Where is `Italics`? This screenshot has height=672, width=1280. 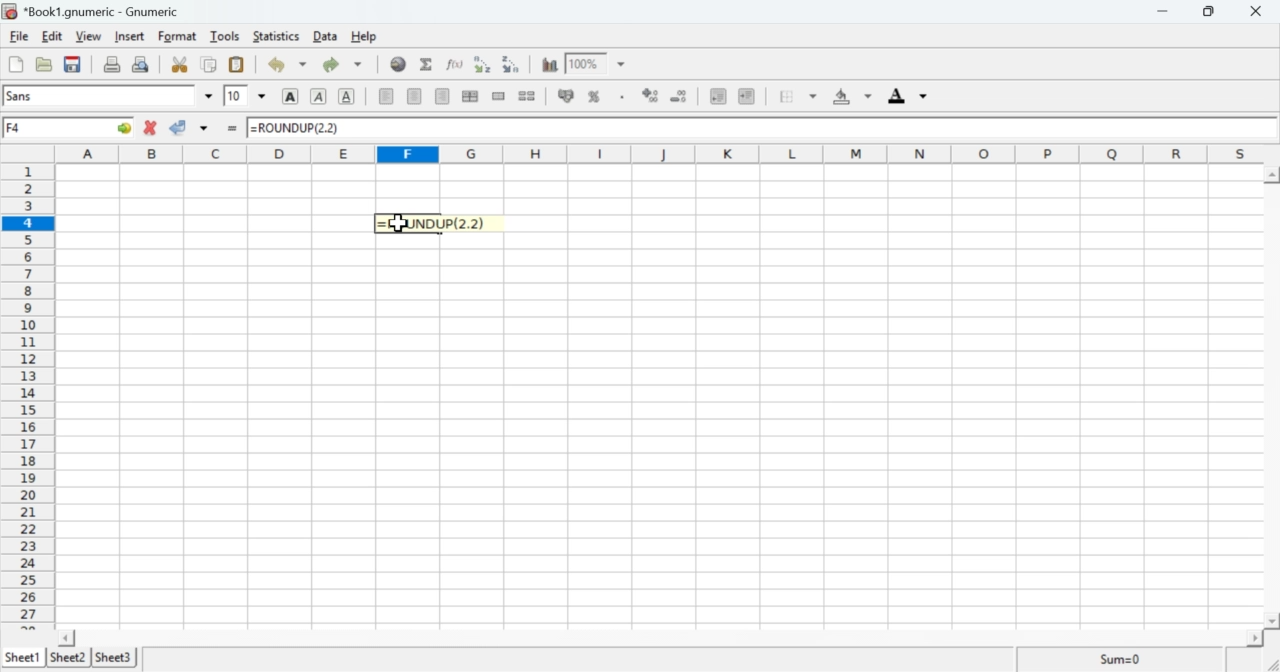 Italics is located at coordinates (319, 96).